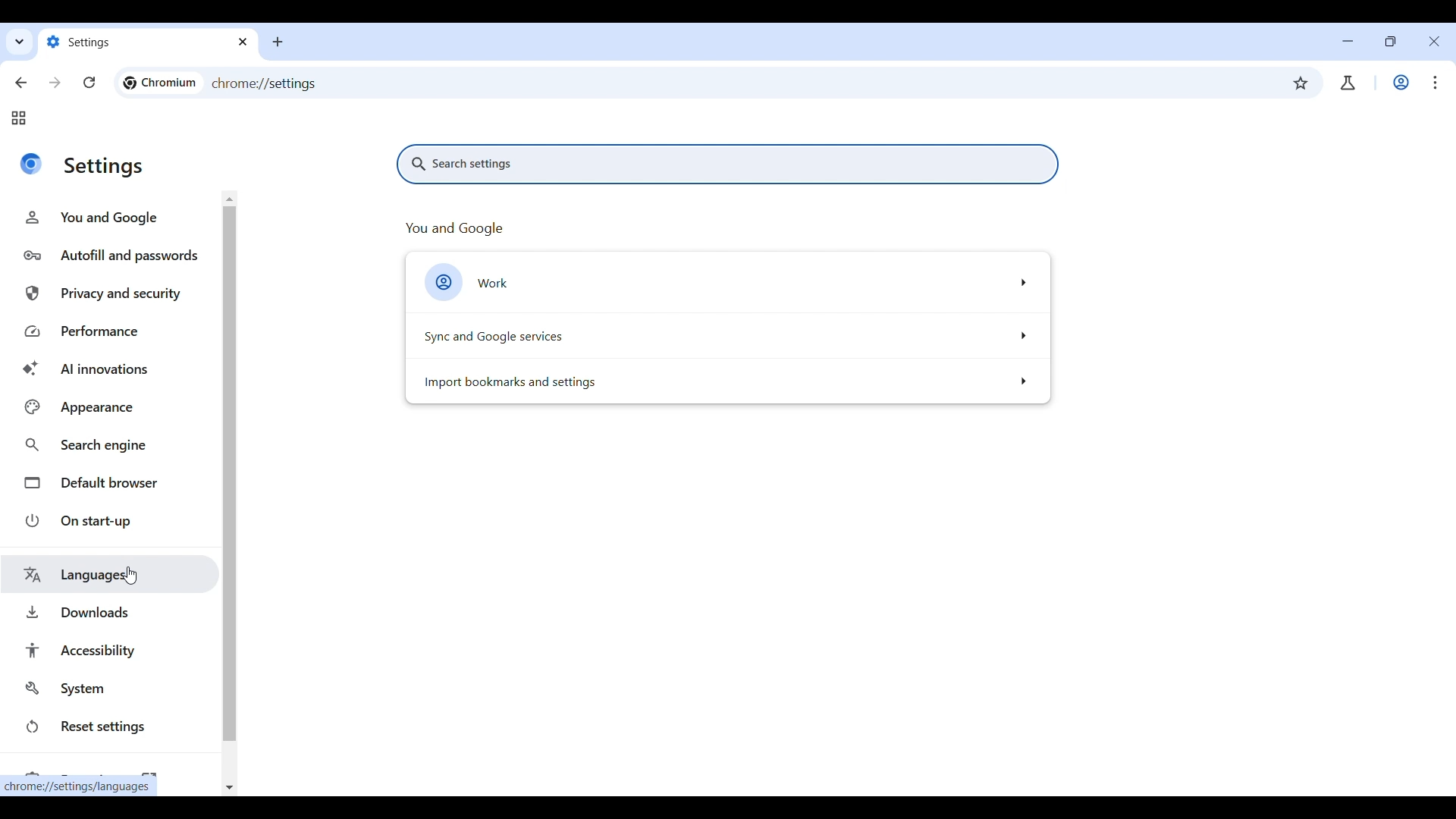 The height and width of the screenshot is (819, 1456). I want to click on Title of current page, so click(105, 168).